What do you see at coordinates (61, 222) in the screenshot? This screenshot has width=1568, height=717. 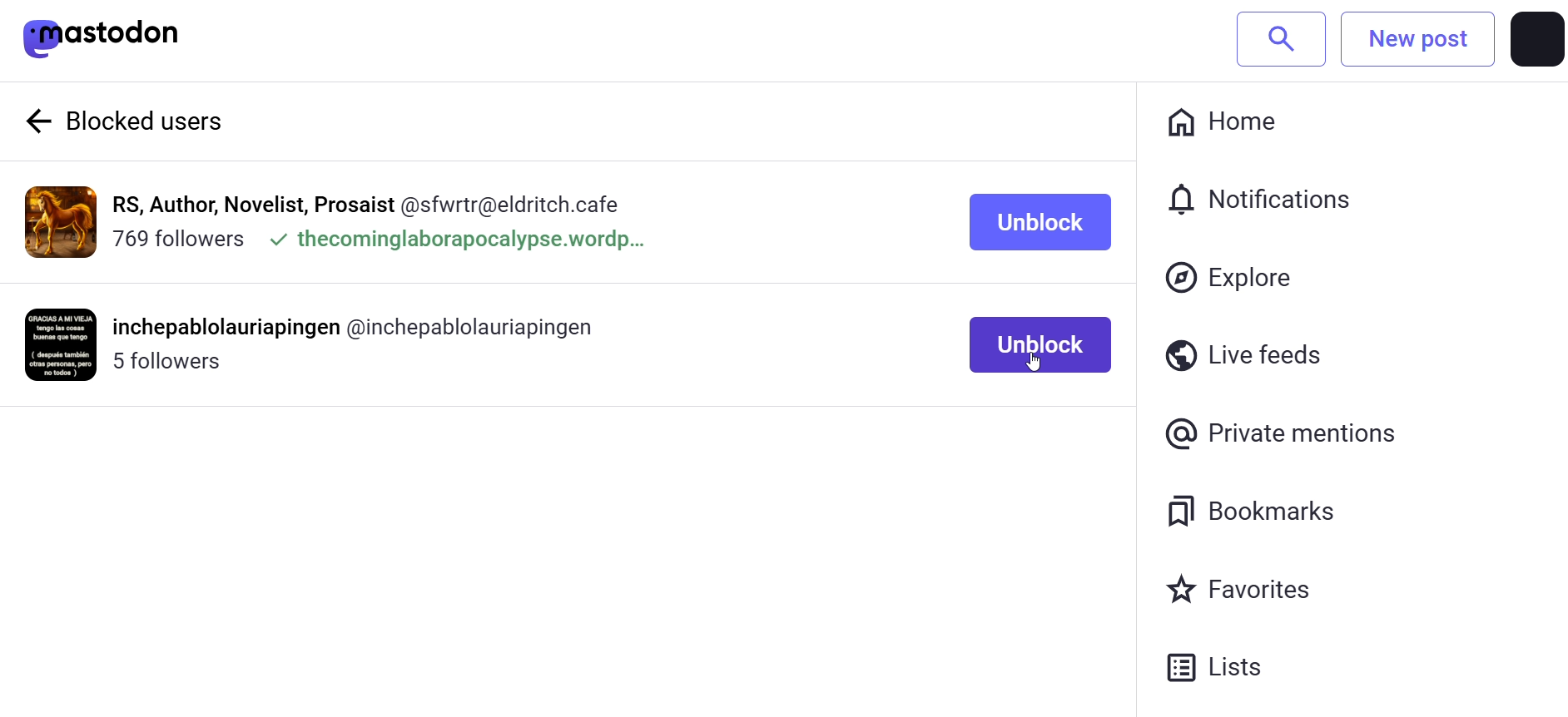 I see `profile picture` at bounding box center [61, 222].